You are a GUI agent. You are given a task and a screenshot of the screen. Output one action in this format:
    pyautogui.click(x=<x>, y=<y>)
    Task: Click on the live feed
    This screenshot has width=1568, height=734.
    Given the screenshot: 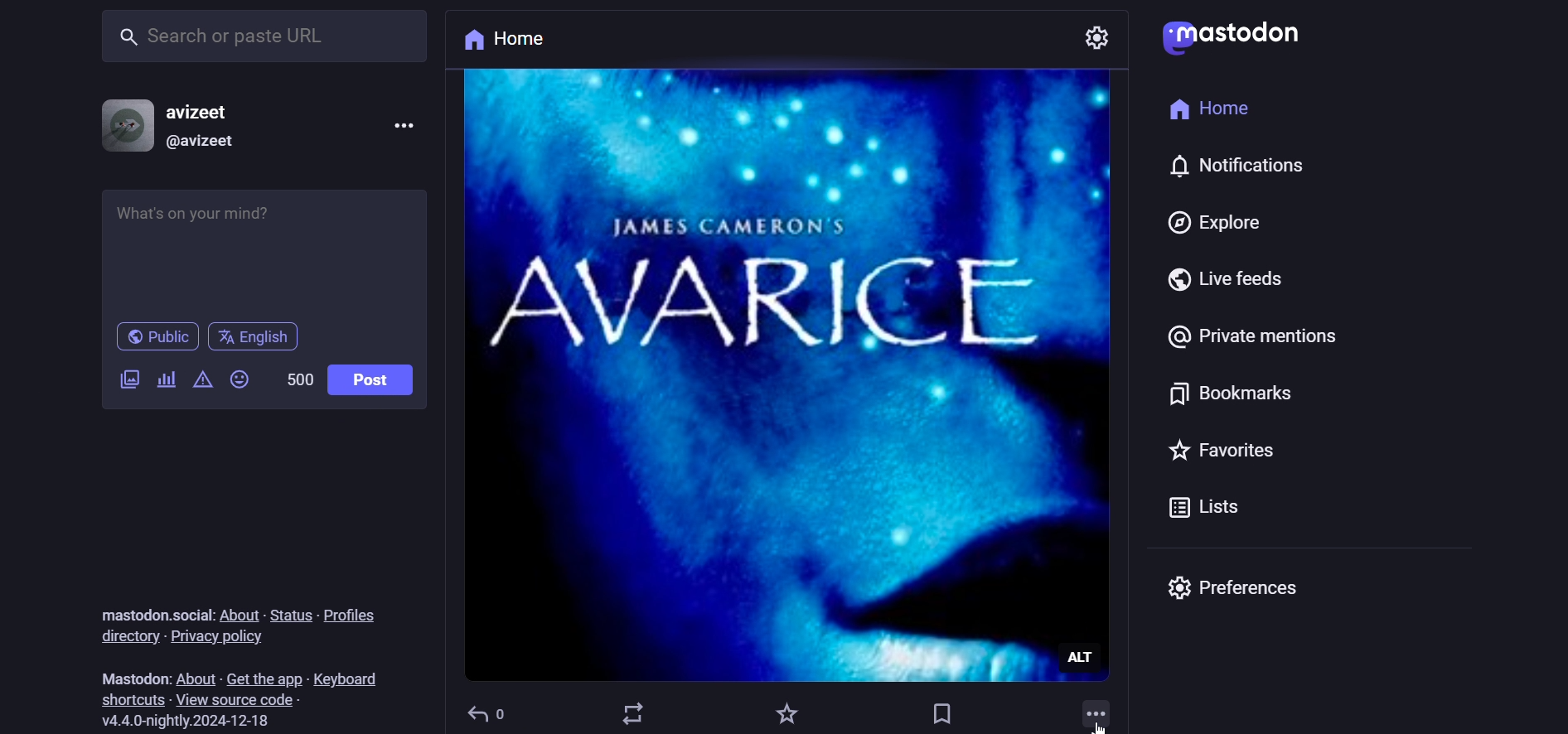 What is the action you would take?
    pyautogui.click(x=1154, y=277)
    